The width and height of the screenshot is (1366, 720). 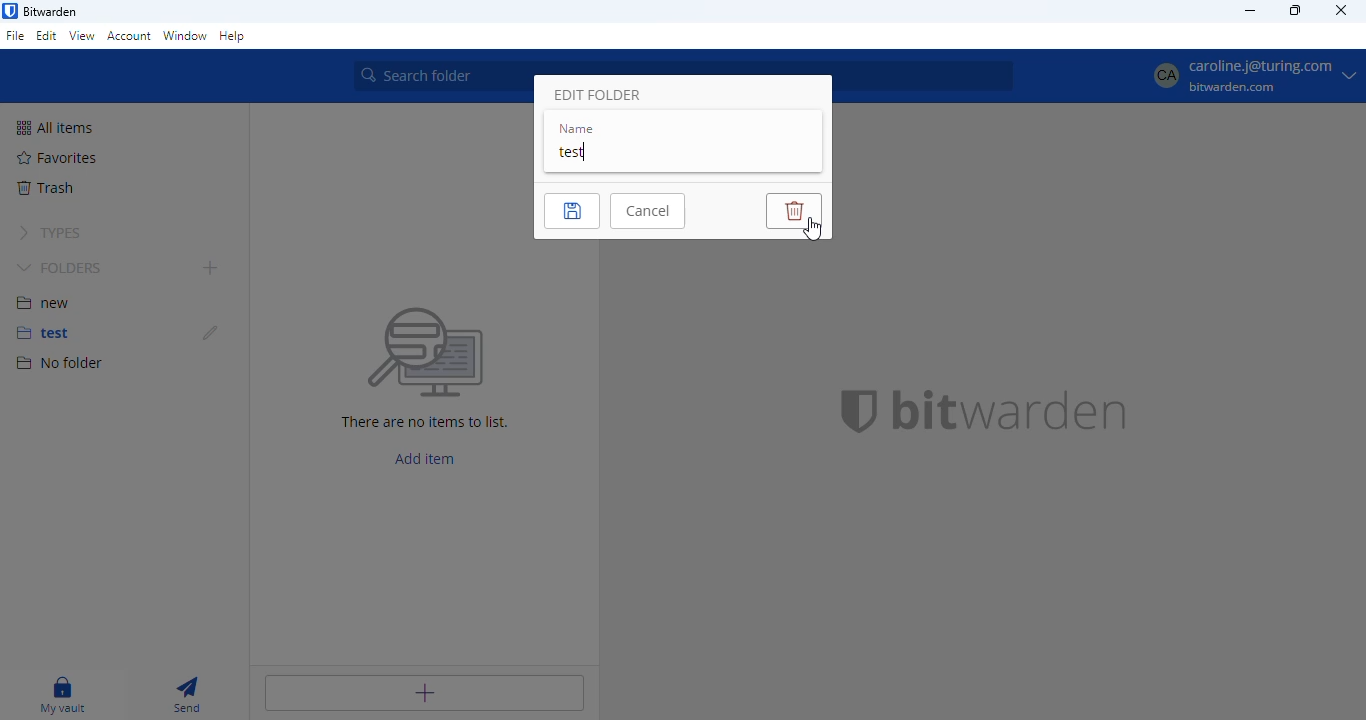 What do you see at coordinates (40, 333) in the screenshot?
I see `test` at bounding box center [40, 333].